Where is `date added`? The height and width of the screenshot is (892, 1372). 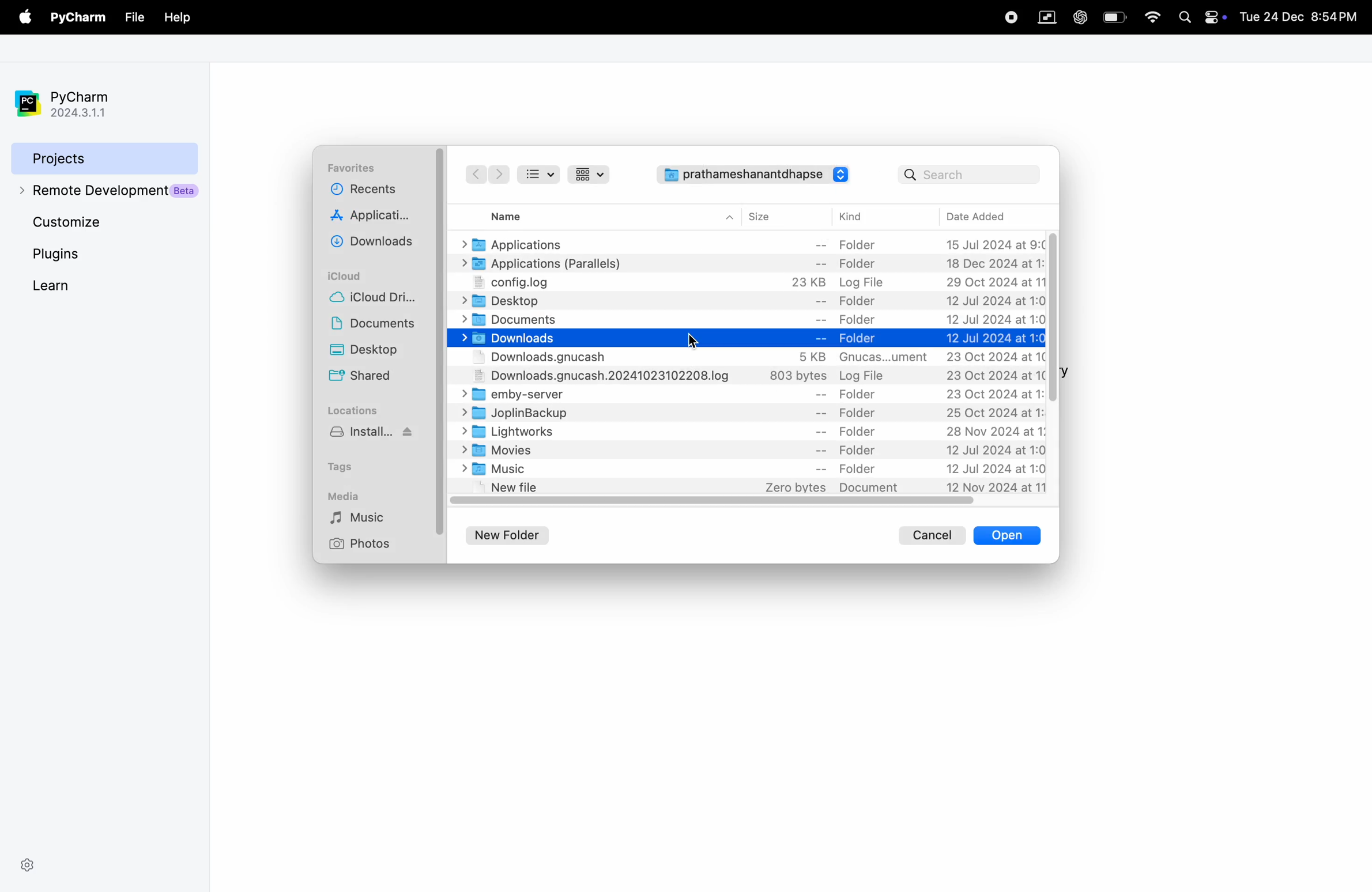
date added is located at coordinates (988, 216).